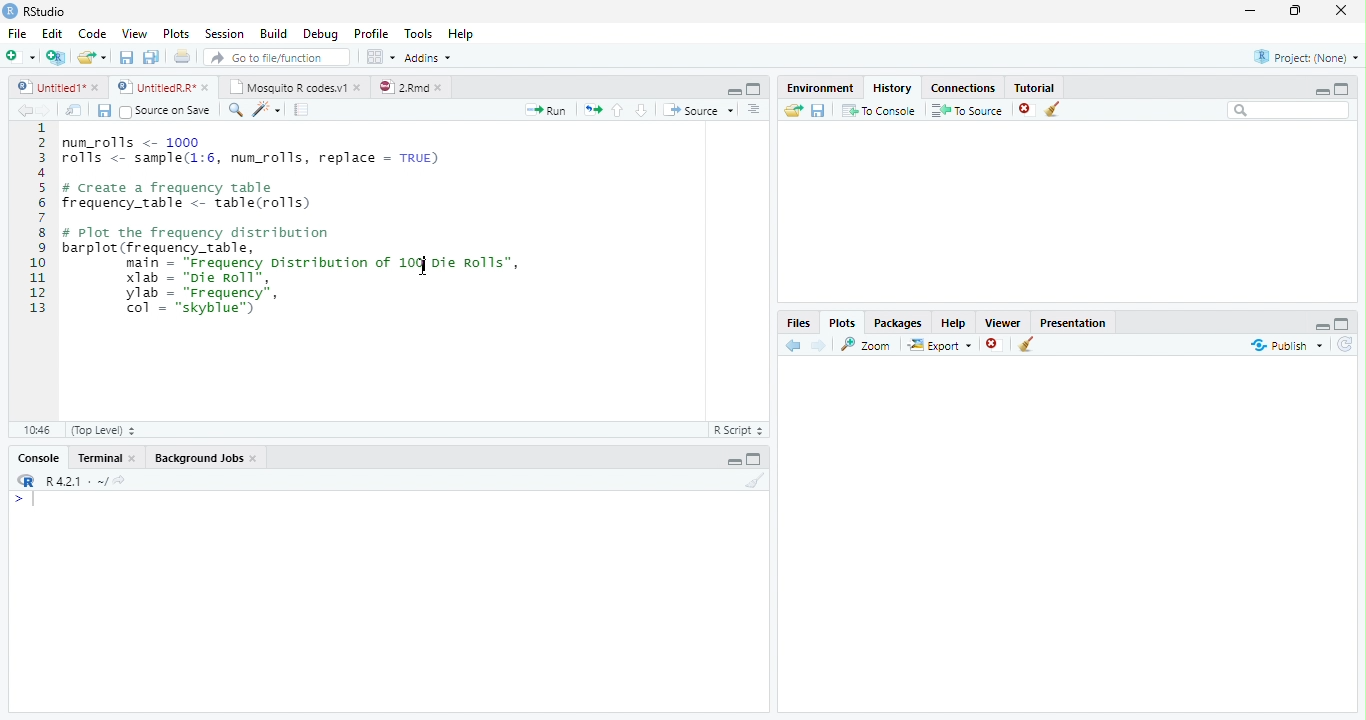  What do you see at coordinates (794, 346) in the screenshot?
I see `Previous Slot` at bounding box center [794, 346].